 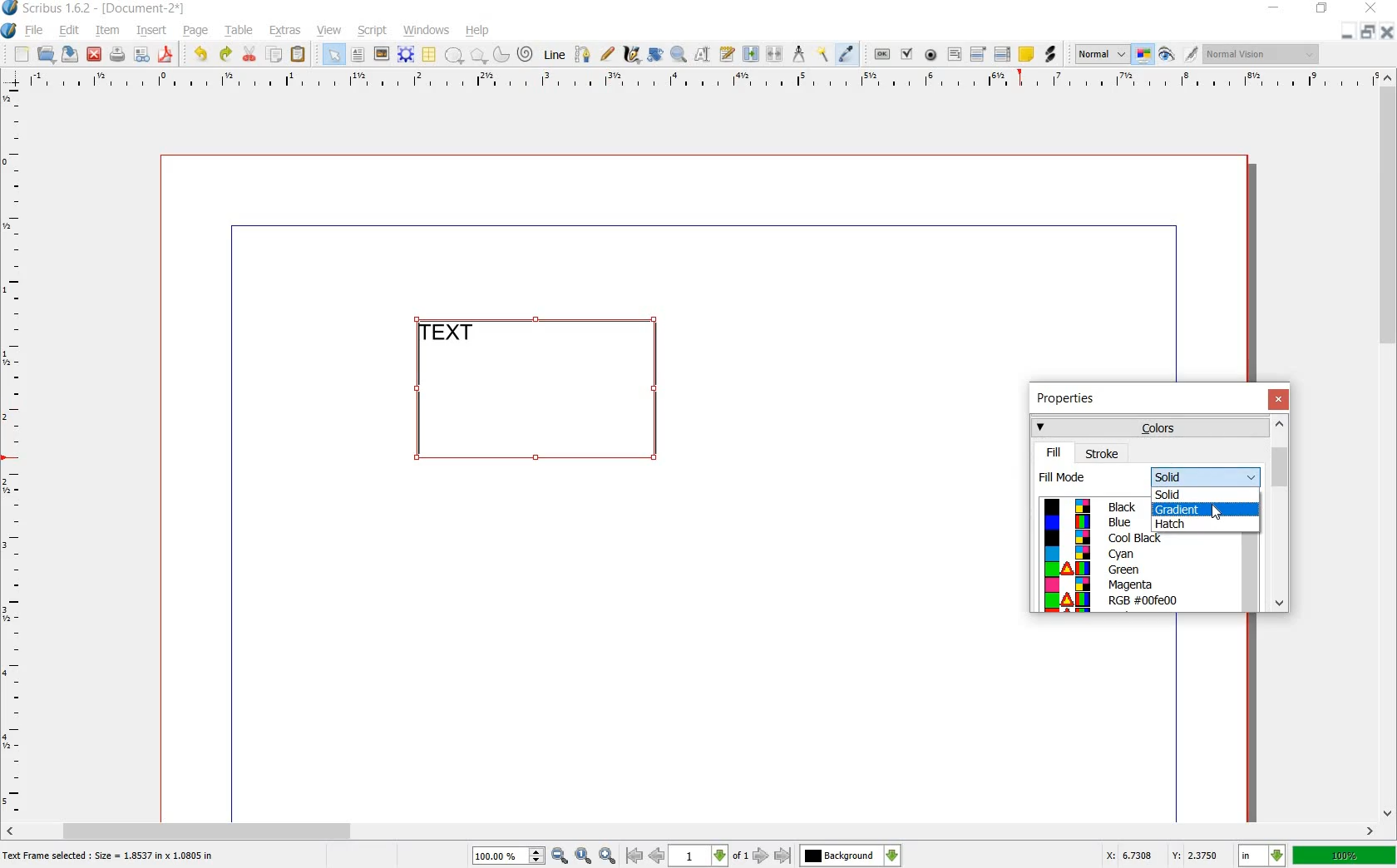 I want to click on zoom to, so click(x=584, y=856).